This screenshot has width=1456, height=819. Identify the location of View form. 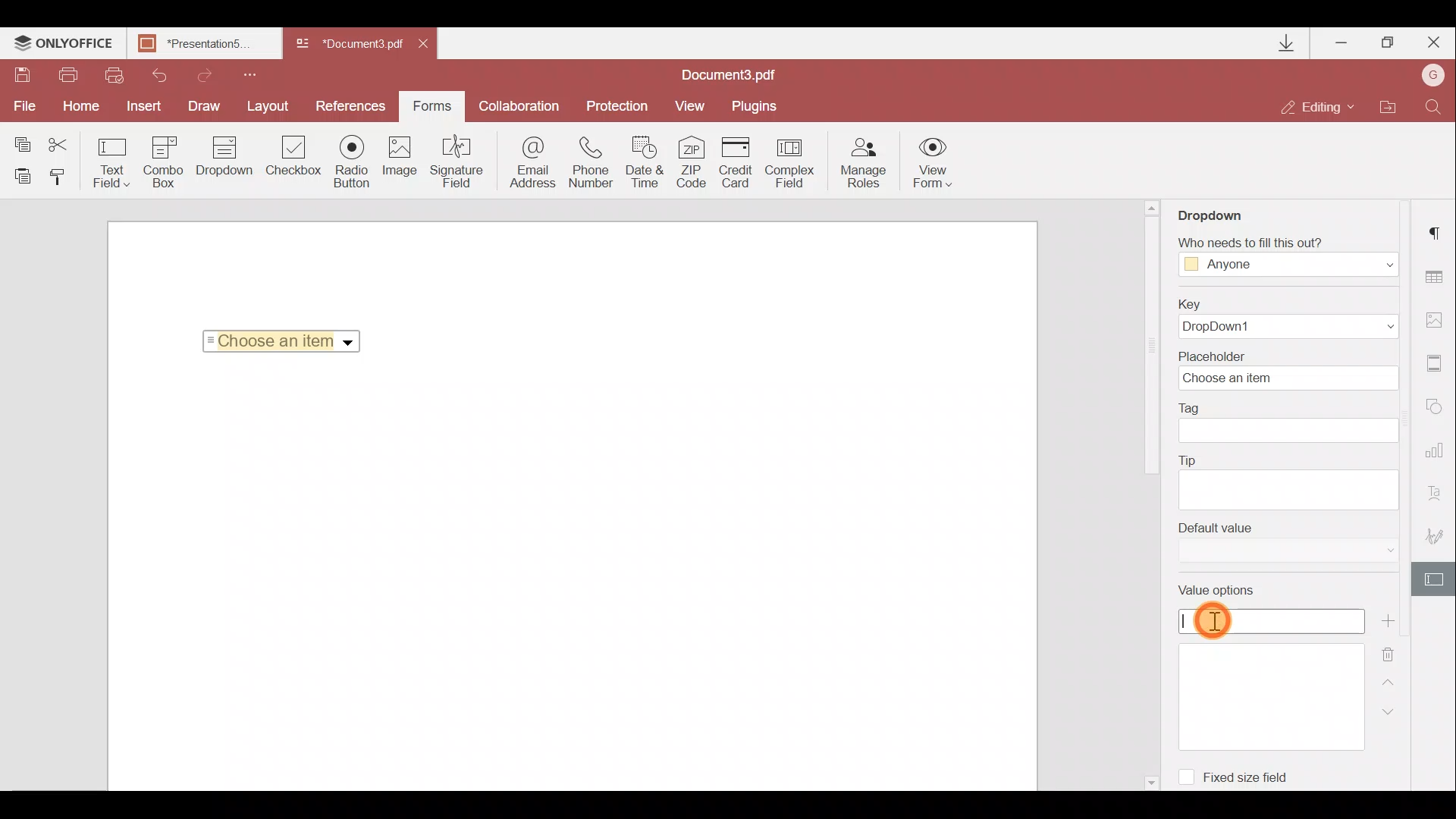
(934, 162).